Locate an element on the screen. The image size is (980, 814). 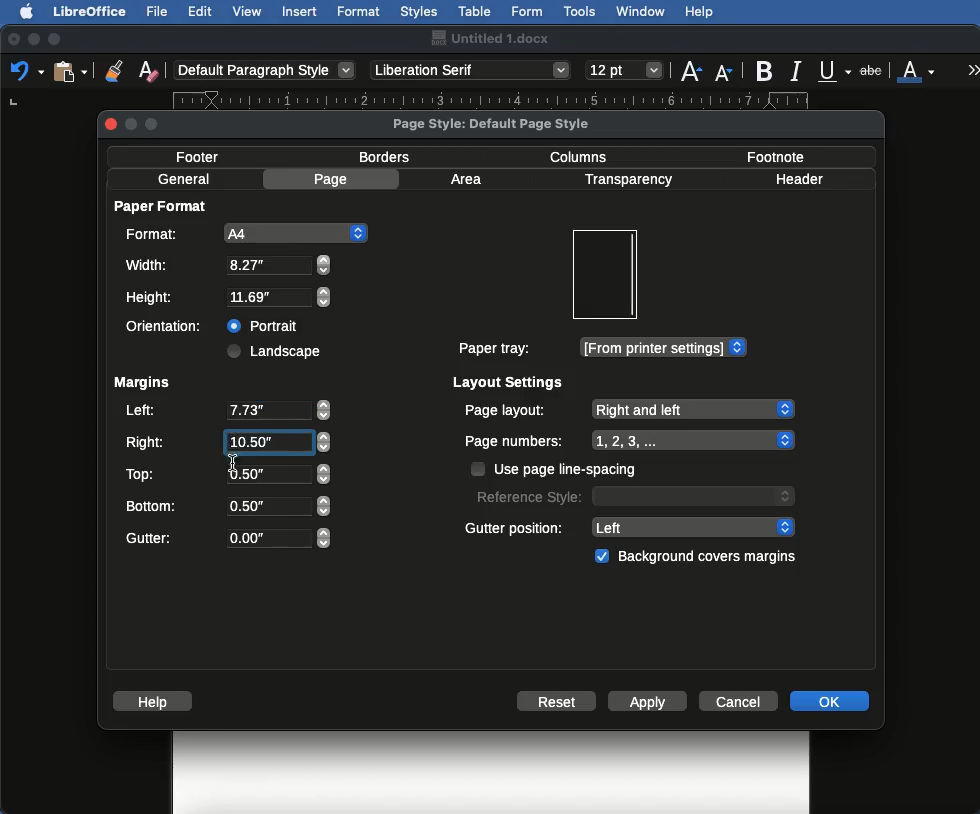
Transparency is located at coordinates (627, 180).